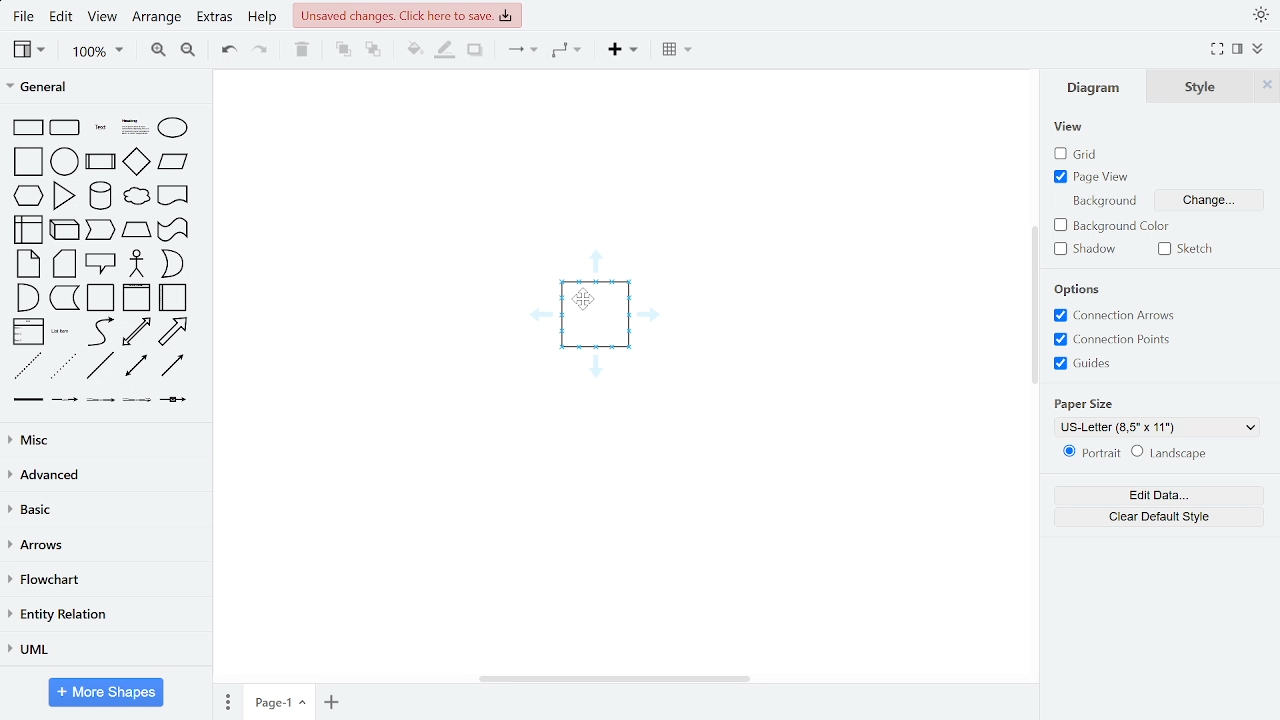 Image resolution: width=1280 pixels, height=720 pixels. What do you see at coordinates (153, 51) in the screenshot?
I see `zoom in` at bounding box center [153, 51].